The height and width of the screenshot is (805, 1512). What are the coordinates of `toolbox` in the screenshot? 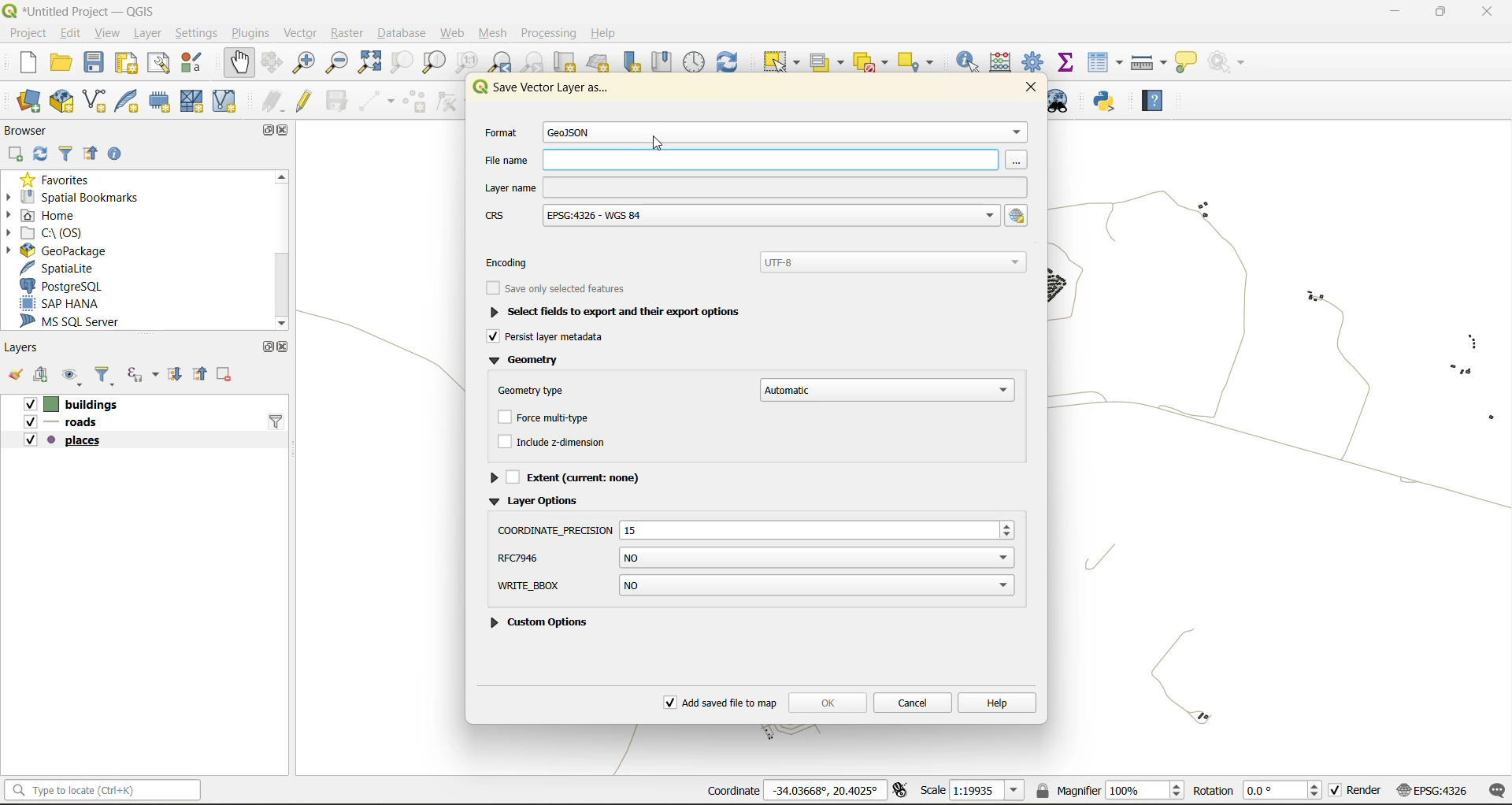 It's located at (1035, 61).